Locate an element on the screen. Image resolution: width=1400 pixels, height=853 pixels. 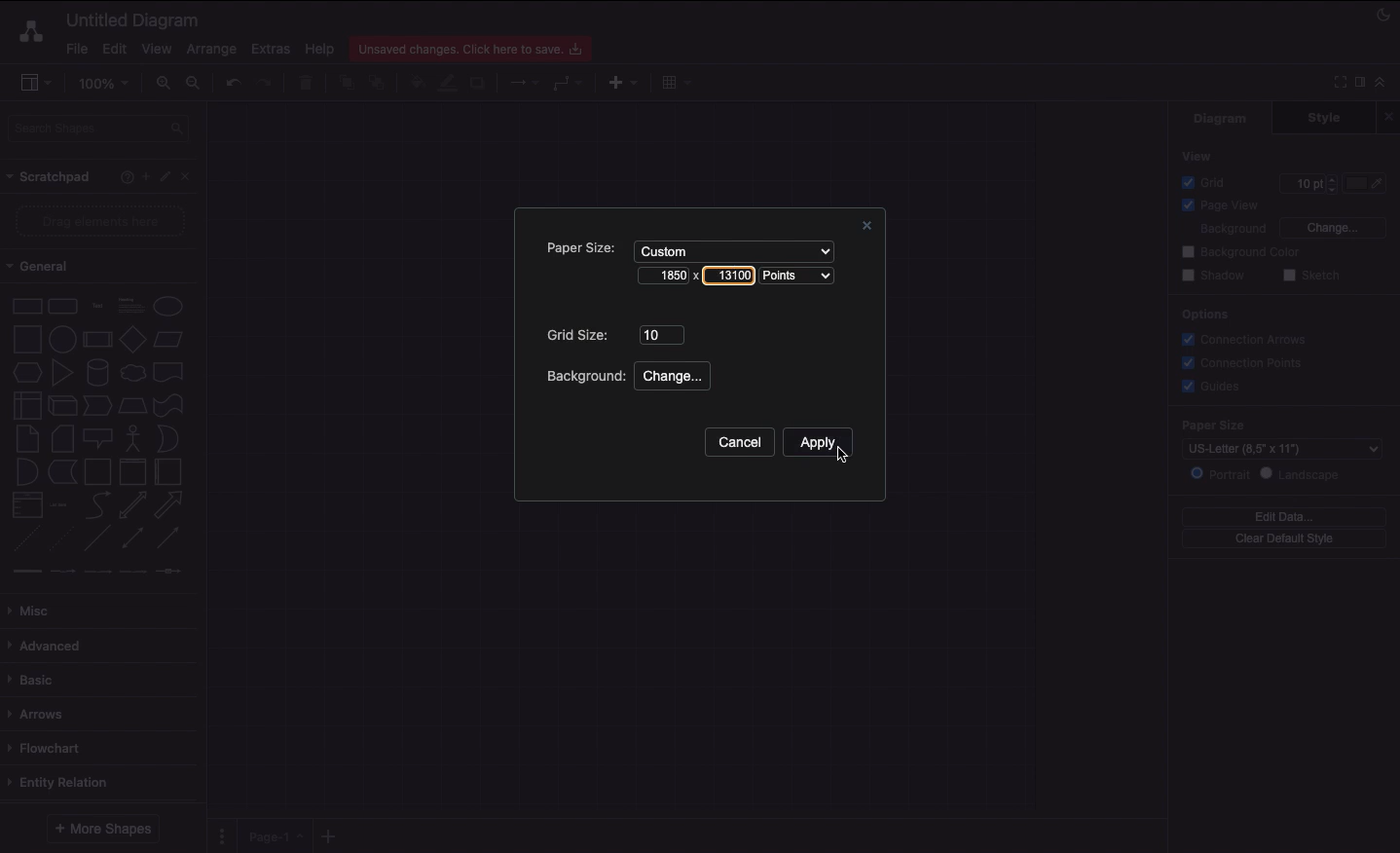
And is located at coordinates (28, 473).